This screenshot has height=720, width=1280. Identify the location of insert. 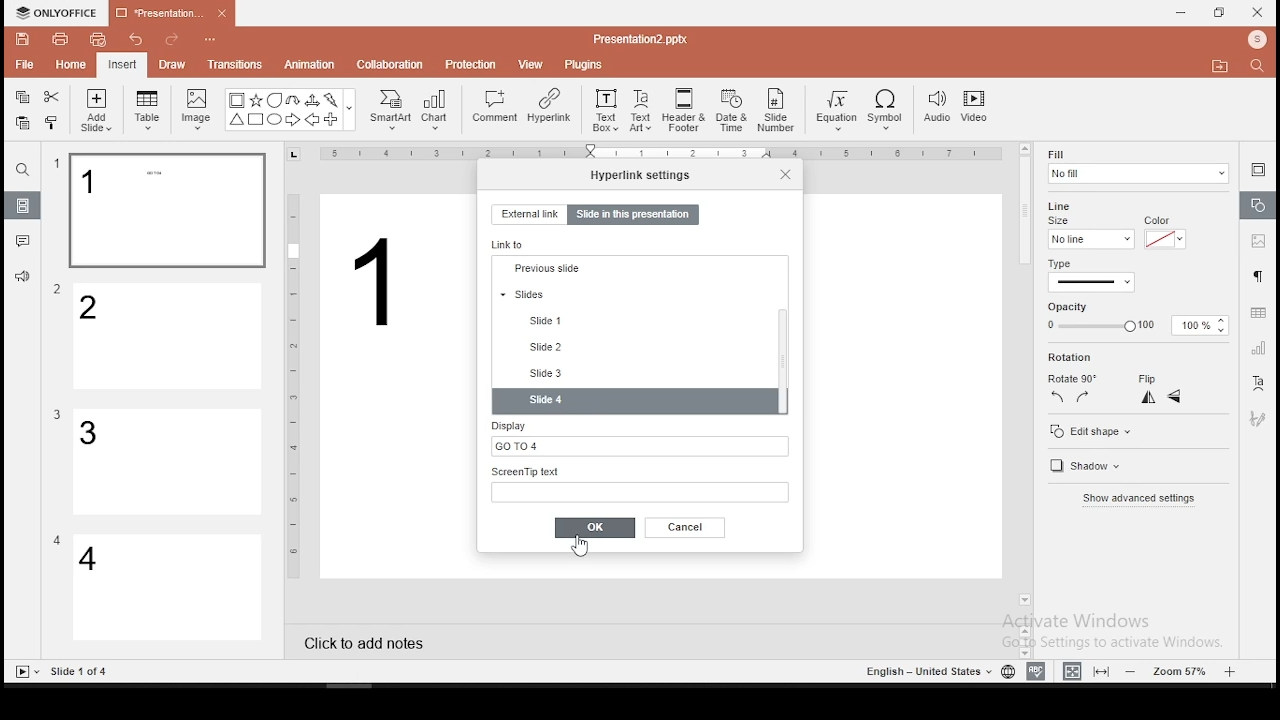
(121, 64).